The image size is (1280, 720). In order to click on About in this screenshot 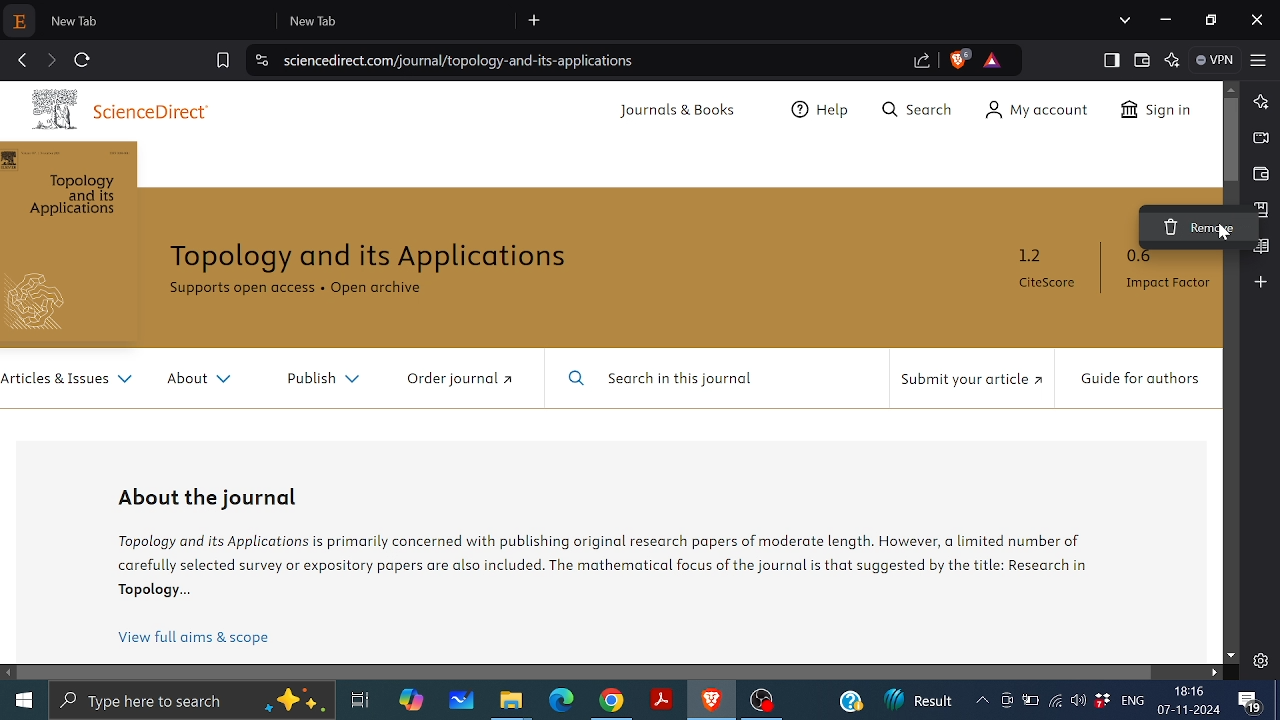, I will do `click(209, 382)`.